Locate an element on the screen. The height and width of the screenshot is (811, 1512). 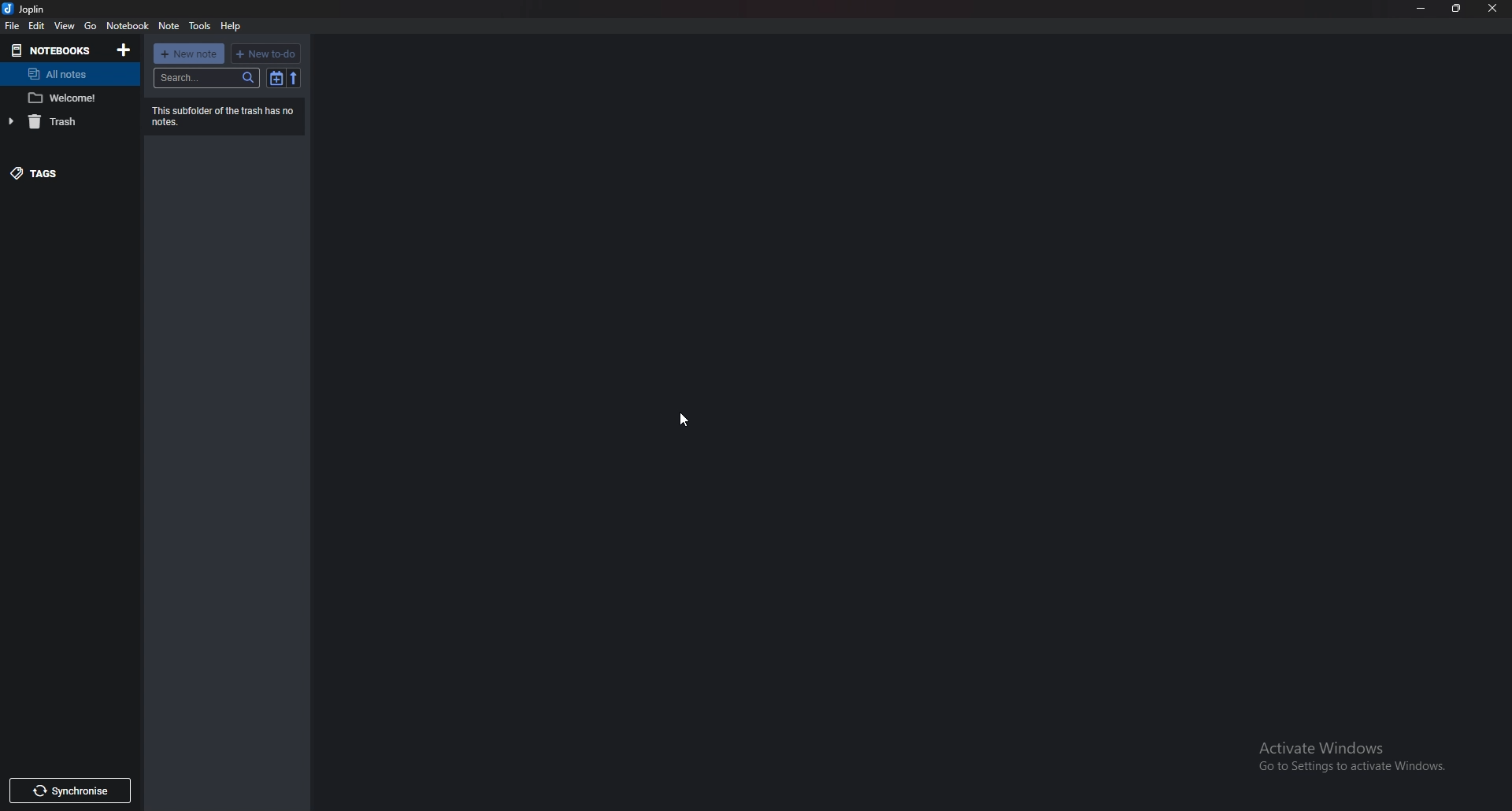
Reverse sort order is located at coordinates (295, 78).